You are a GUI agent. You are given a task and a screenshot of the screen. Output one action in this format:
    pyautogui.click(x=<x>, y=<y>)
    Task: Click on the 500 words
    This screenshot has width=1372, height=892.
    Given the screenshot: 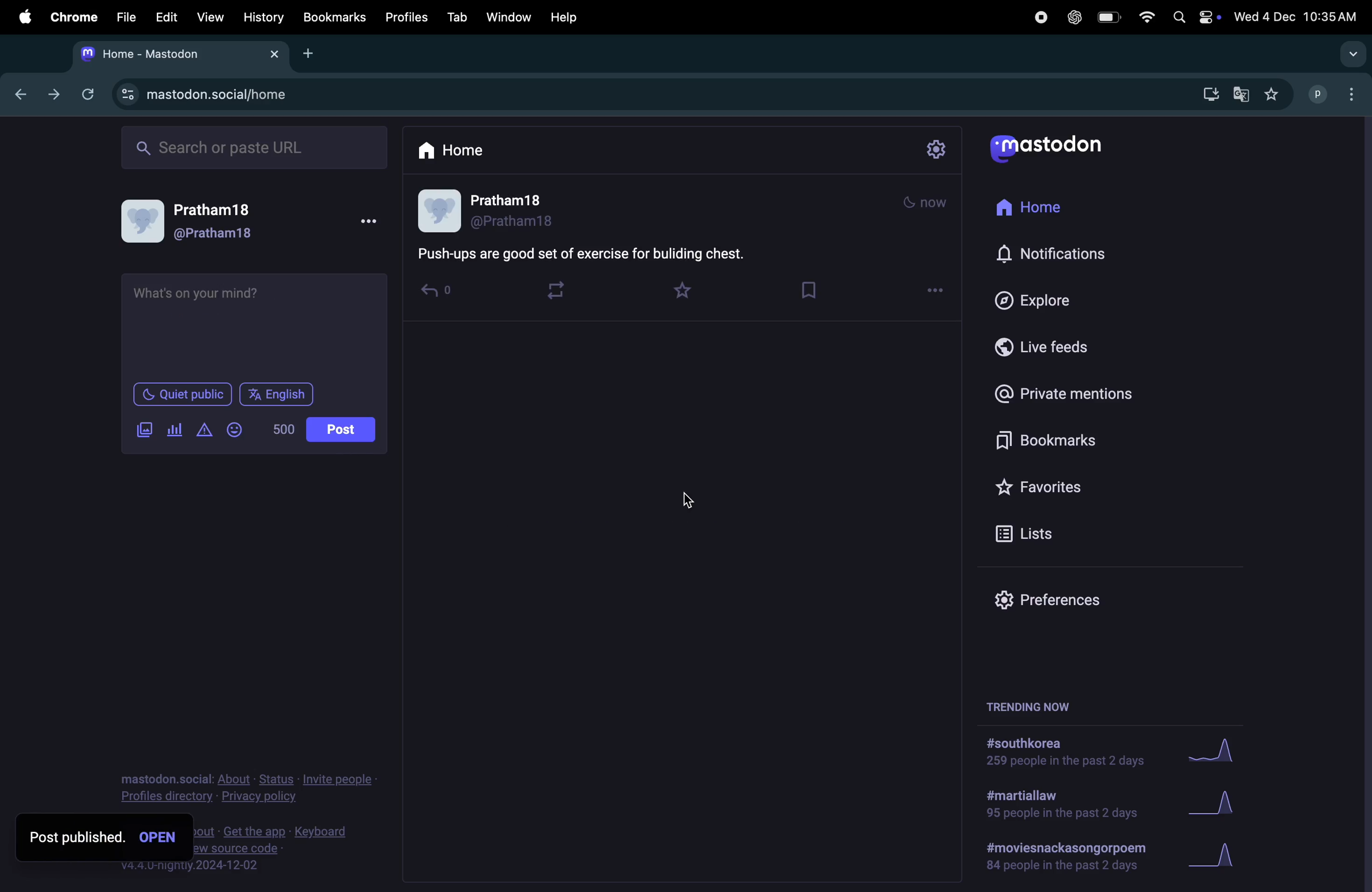 What is the action you would take?
    pyautogui.click(x=286, y=429)
    